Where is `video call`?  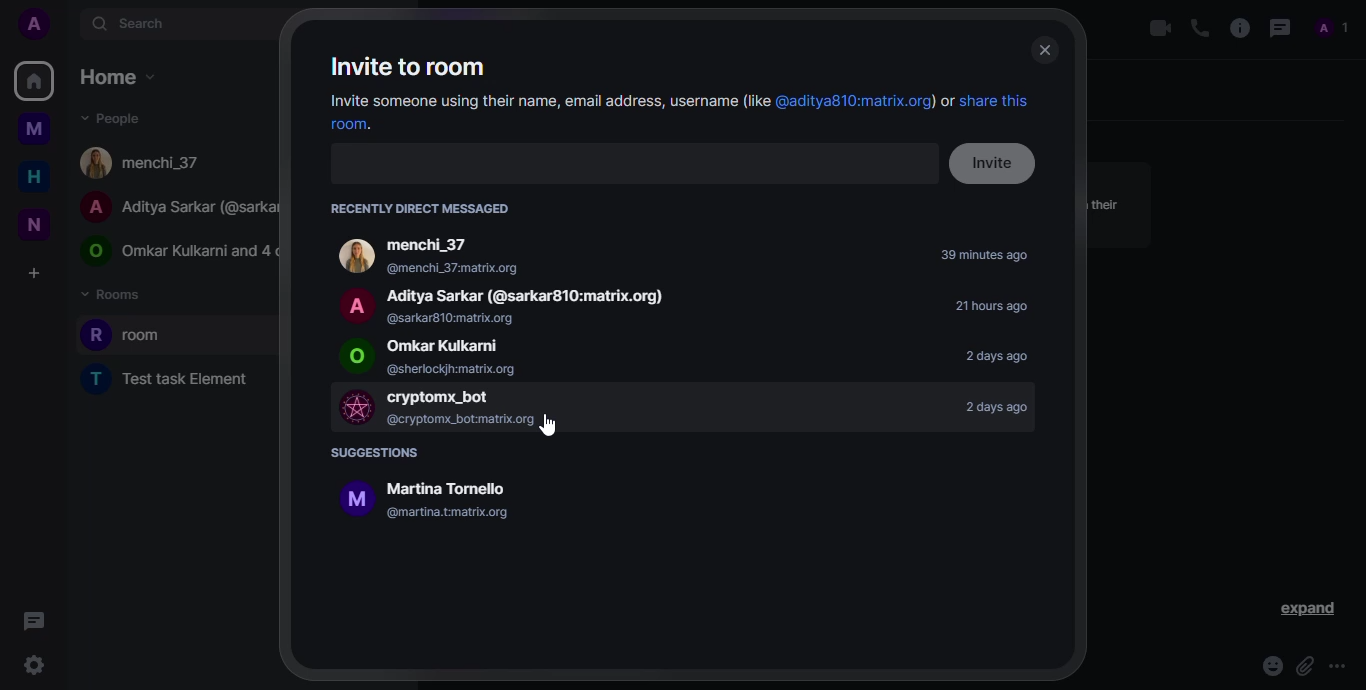
video call is located at coordinates (1157, 28).